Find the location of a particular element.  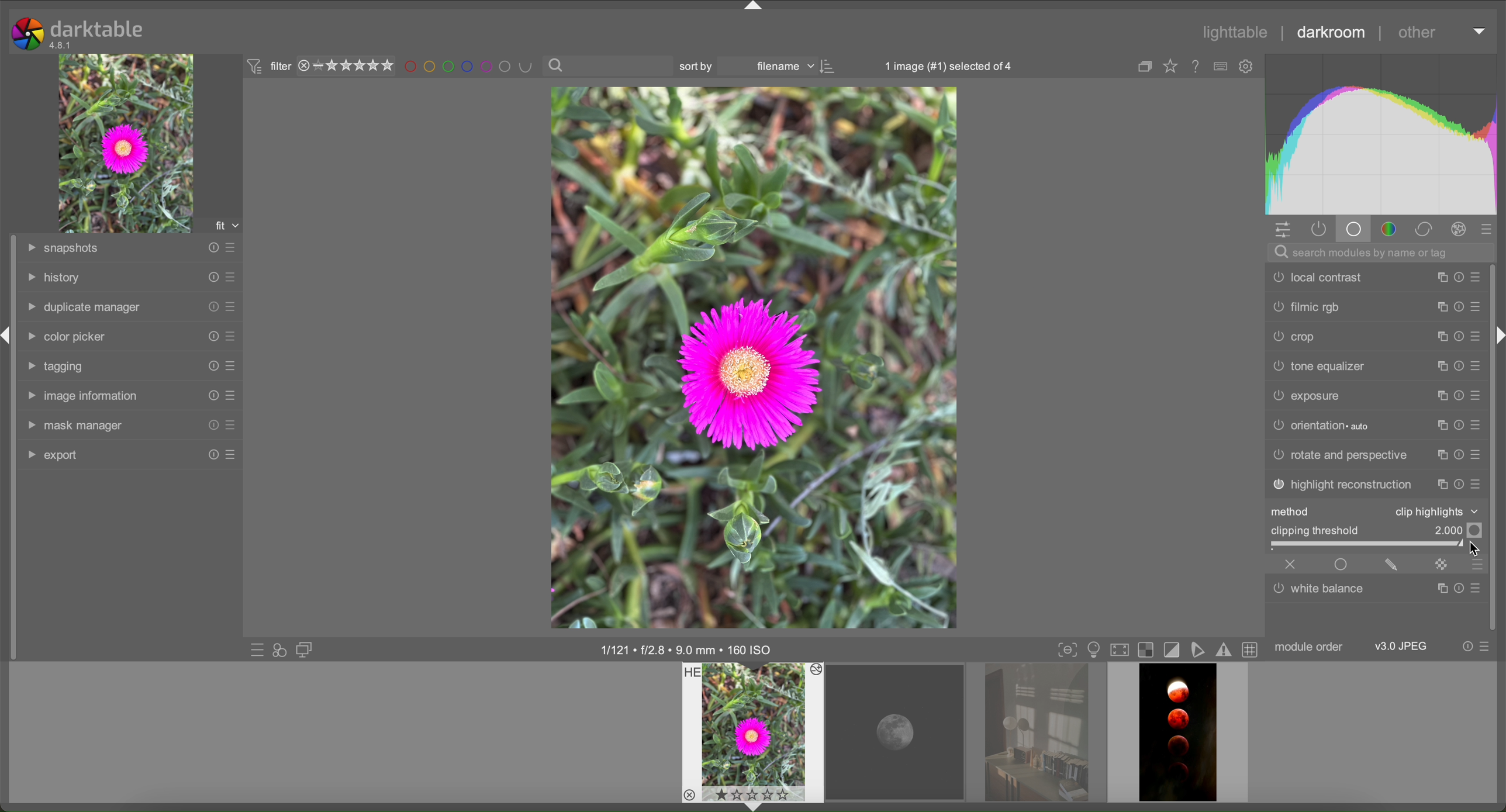

reset presets is located at coordinates (212, 277).